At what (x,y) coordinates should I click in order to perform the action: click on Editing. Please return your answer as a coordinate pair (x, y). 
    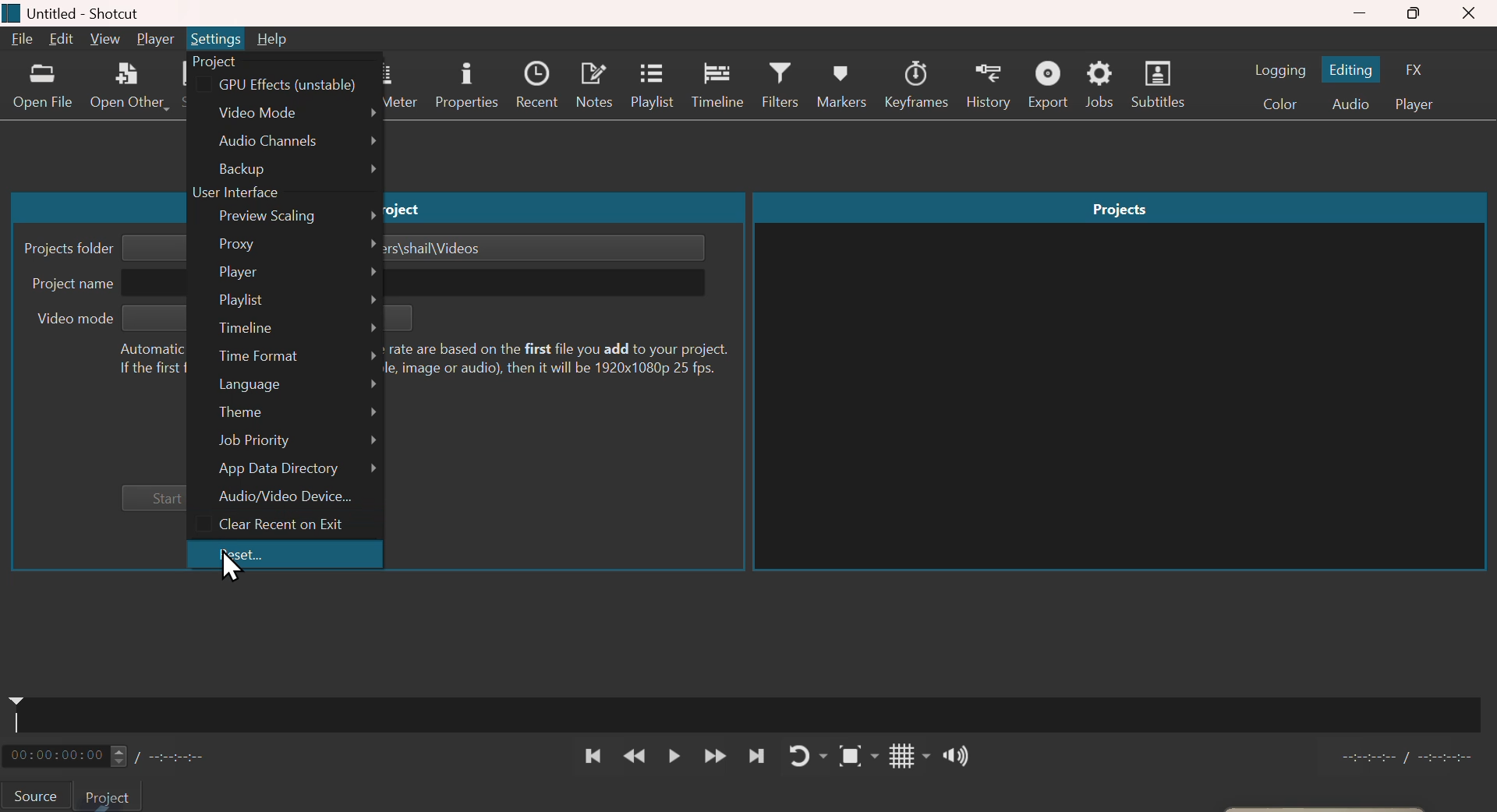
    Looking at the image, I should click on (1355, 69).